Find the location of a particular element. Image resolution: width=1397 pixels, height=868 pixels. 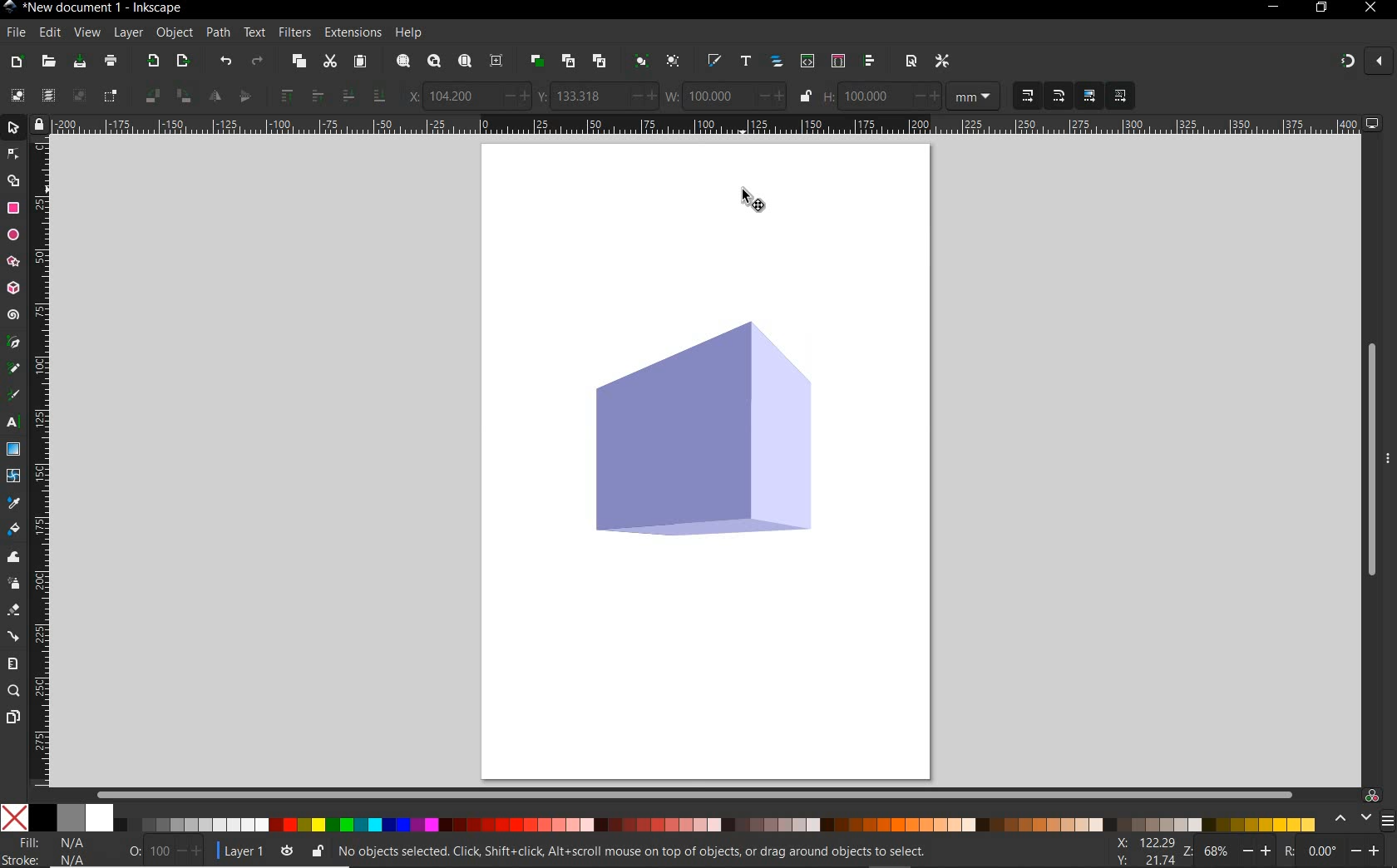

cut is located at coordinates (329, 61).